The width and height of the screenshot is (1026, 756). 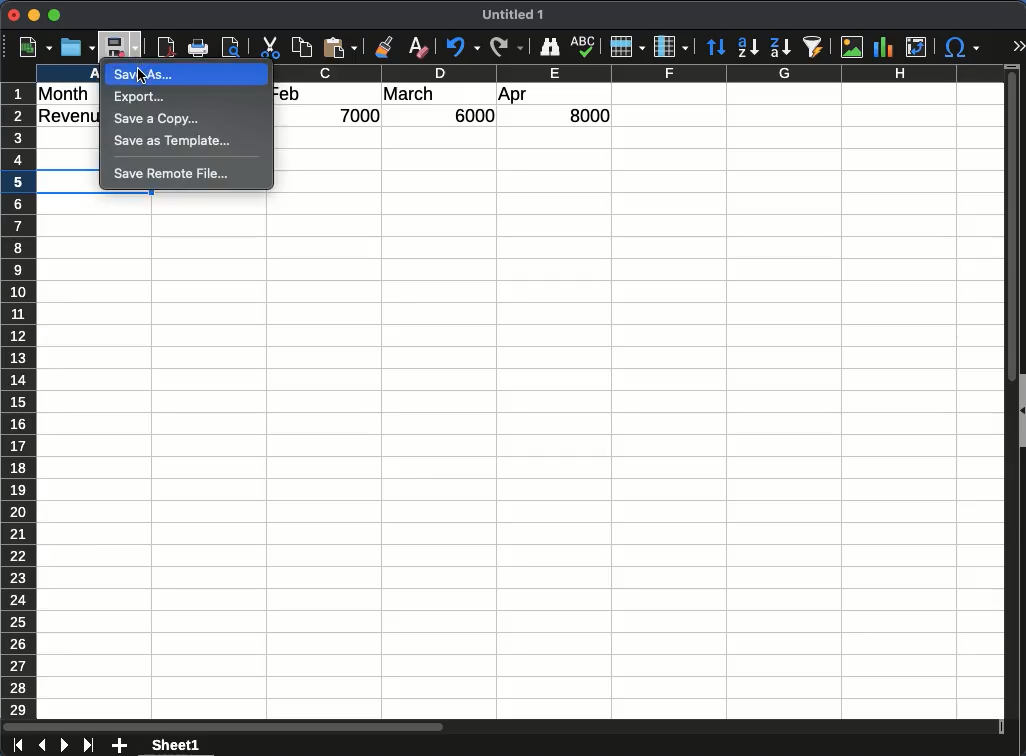 I want to click on column, so click(x=671, y=46).